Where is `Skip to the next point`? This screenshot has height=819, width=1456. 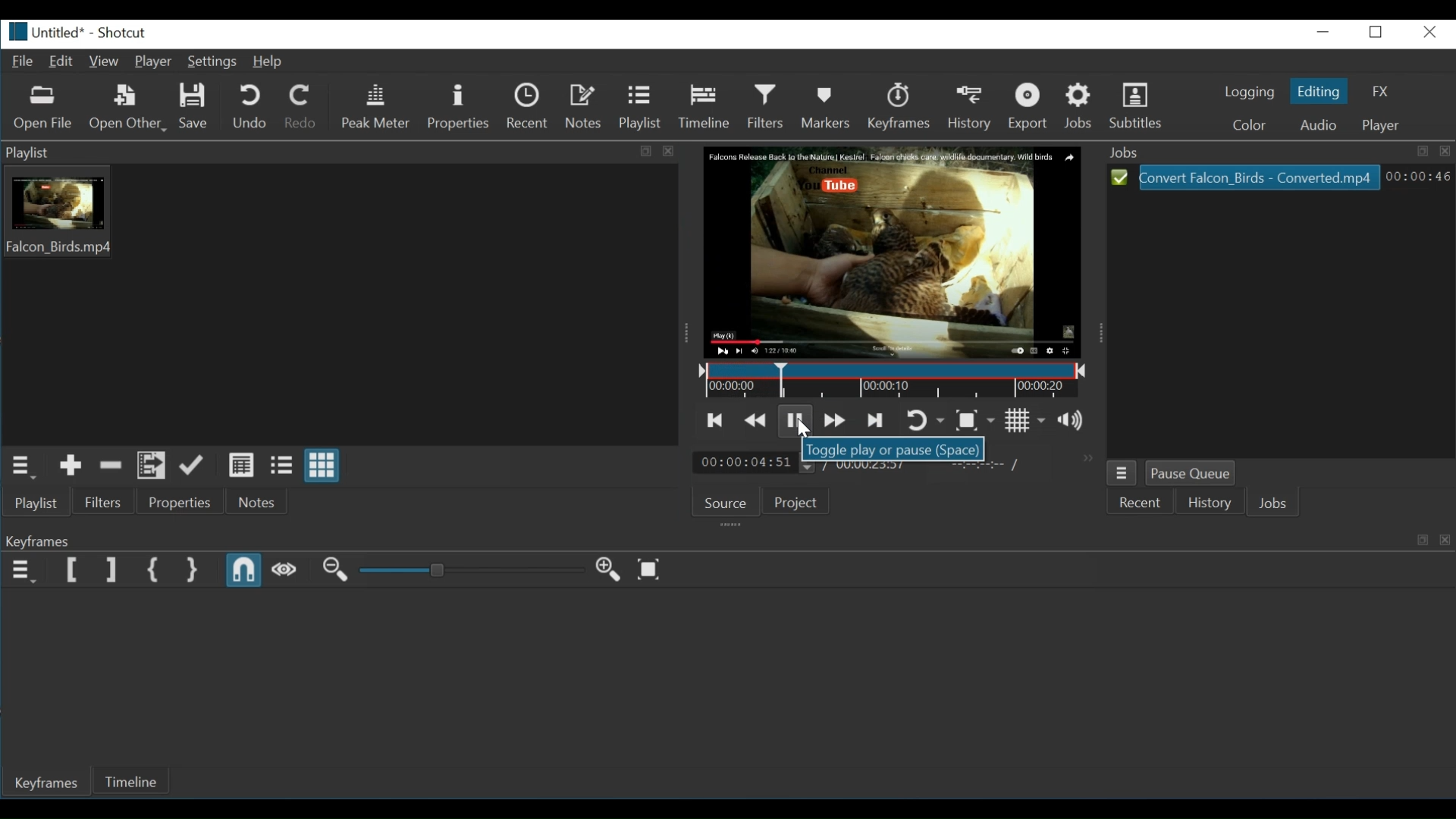
Skip to the next point is located at coordinates (874, 420).